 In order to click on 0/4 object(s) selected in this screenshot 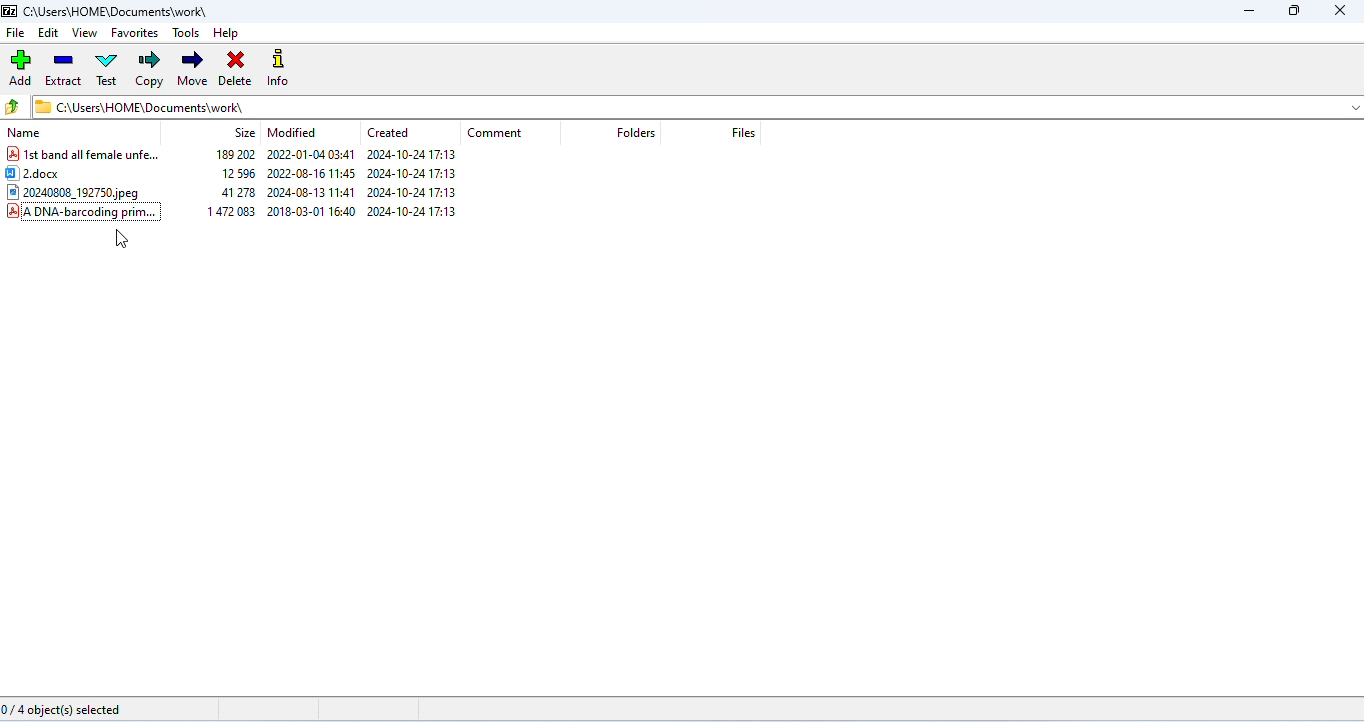, I will do `click(65, 711)`.